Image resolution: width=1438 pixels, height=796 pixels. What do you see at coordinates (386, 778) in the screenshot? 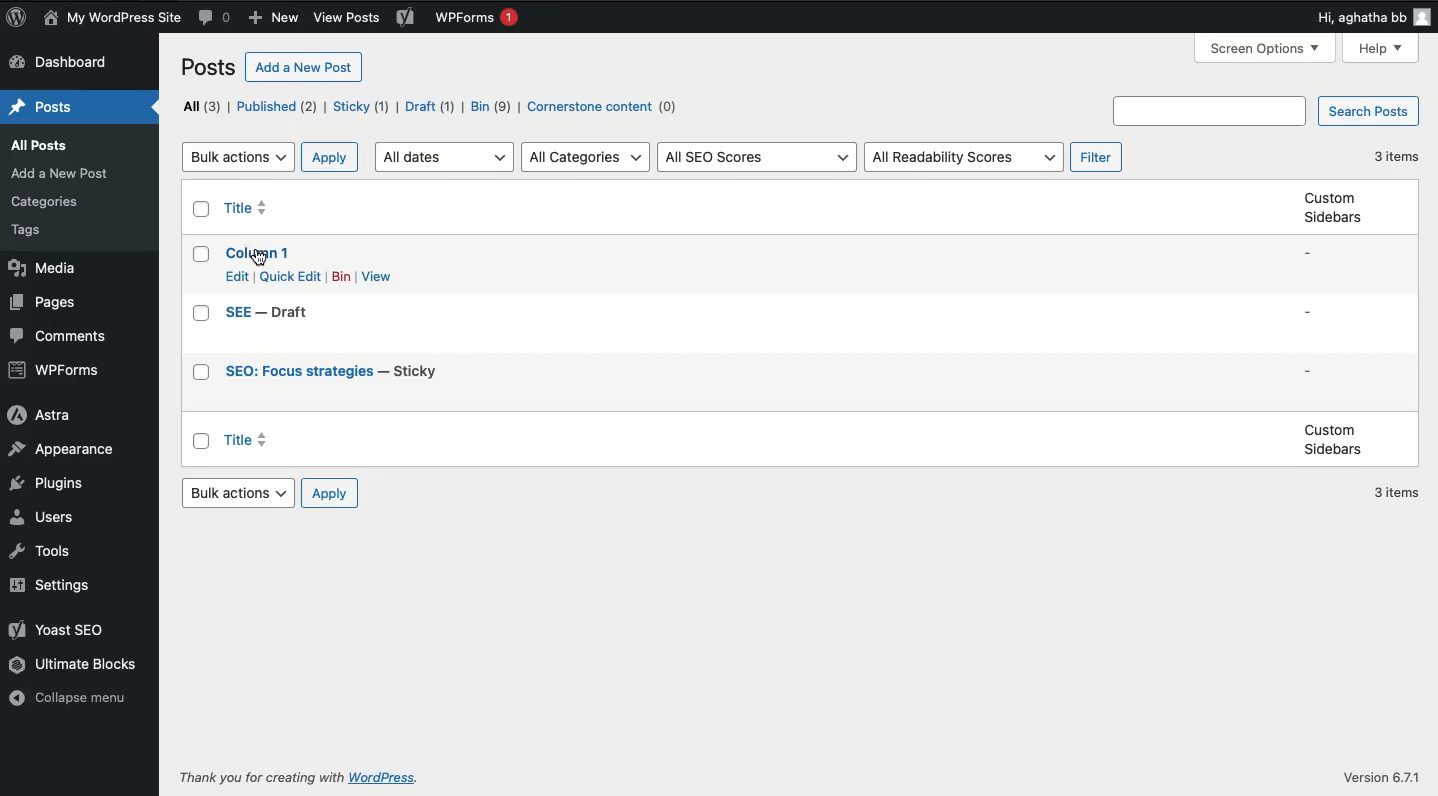
I see `WordPress` at bounding box center [386, 778].